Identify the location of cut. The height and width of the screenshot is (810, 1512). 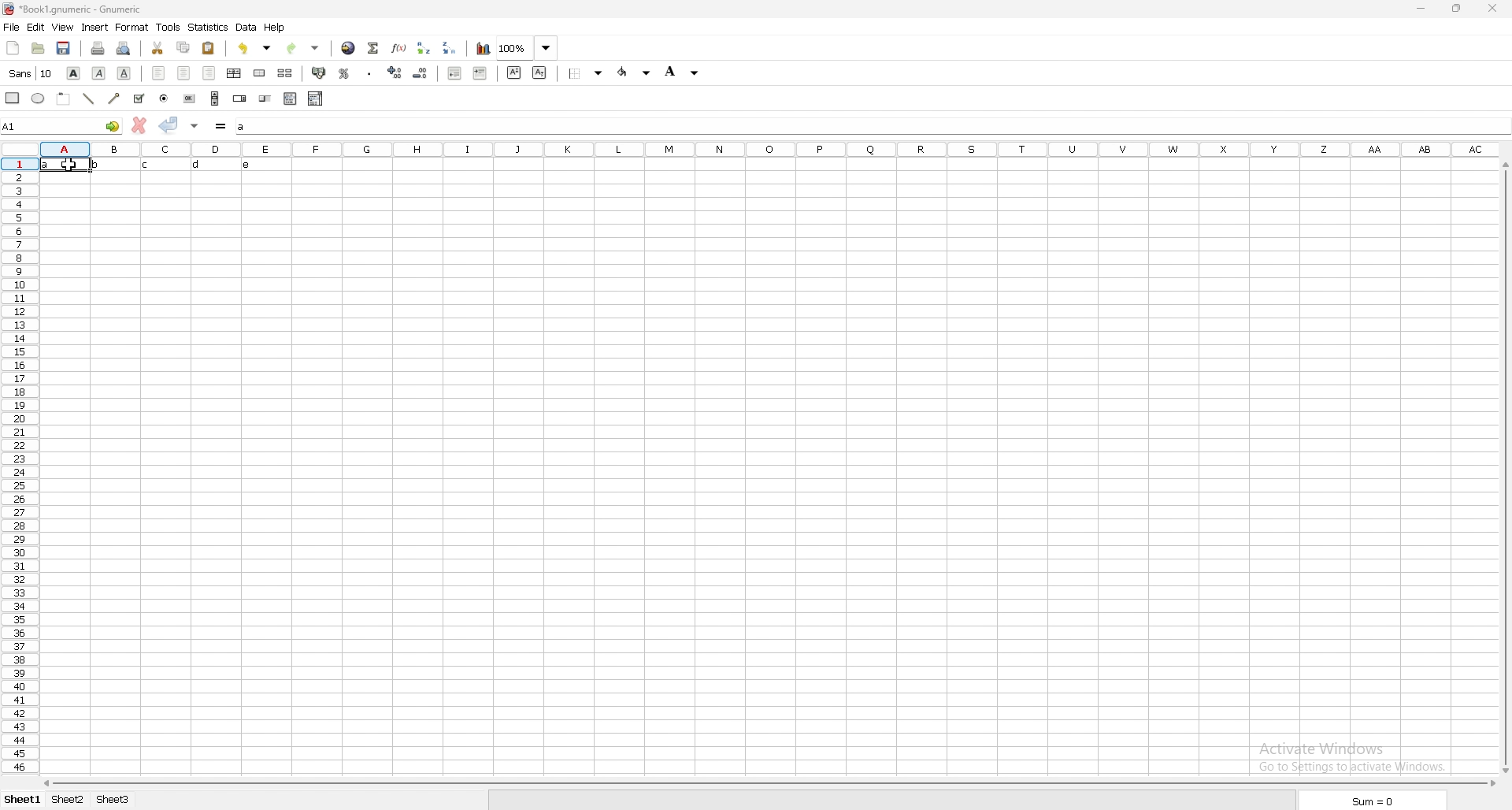
(157, 47).